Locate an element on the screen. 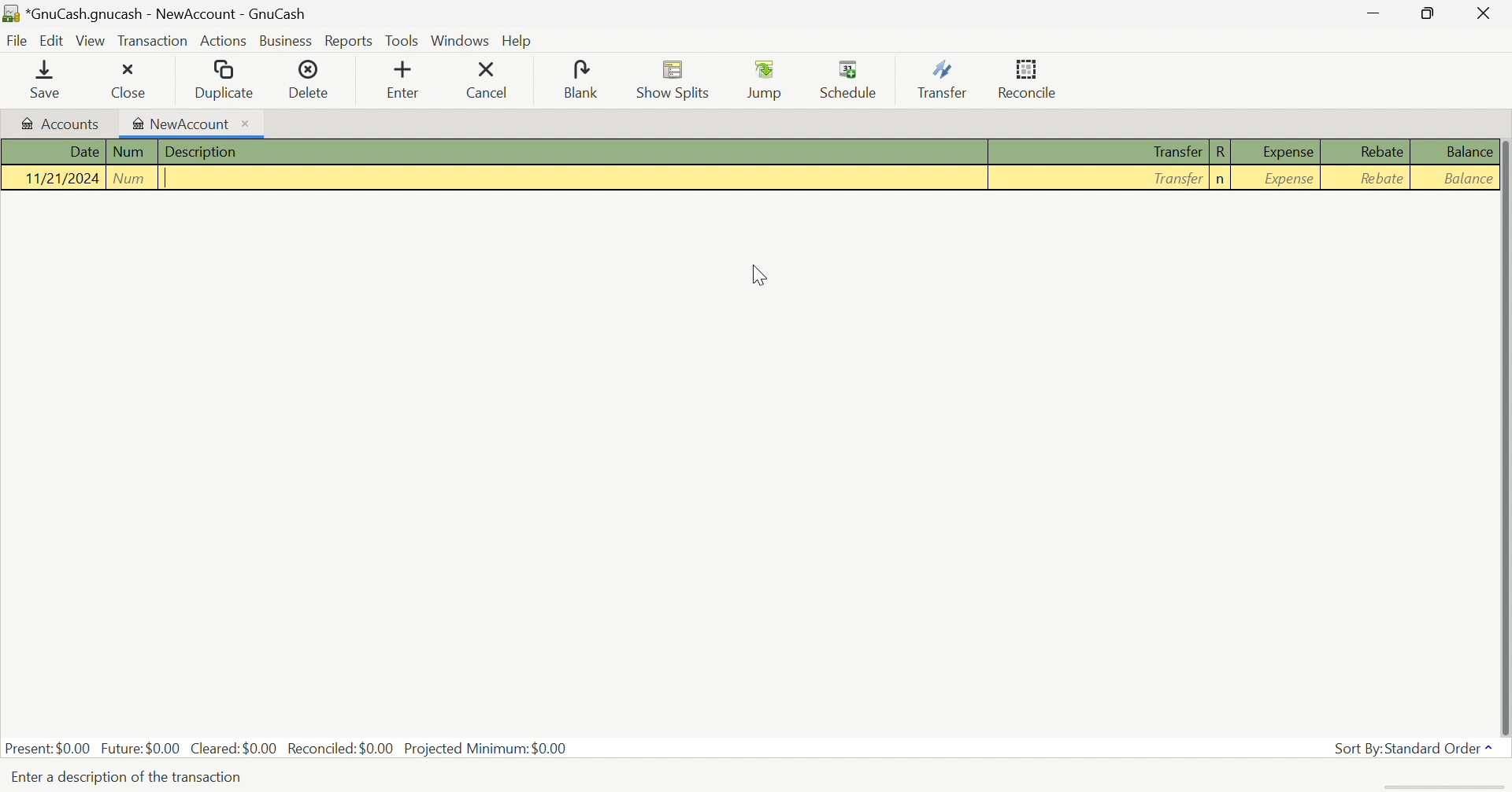  Restore Down is located at coordinates (1425, 14).